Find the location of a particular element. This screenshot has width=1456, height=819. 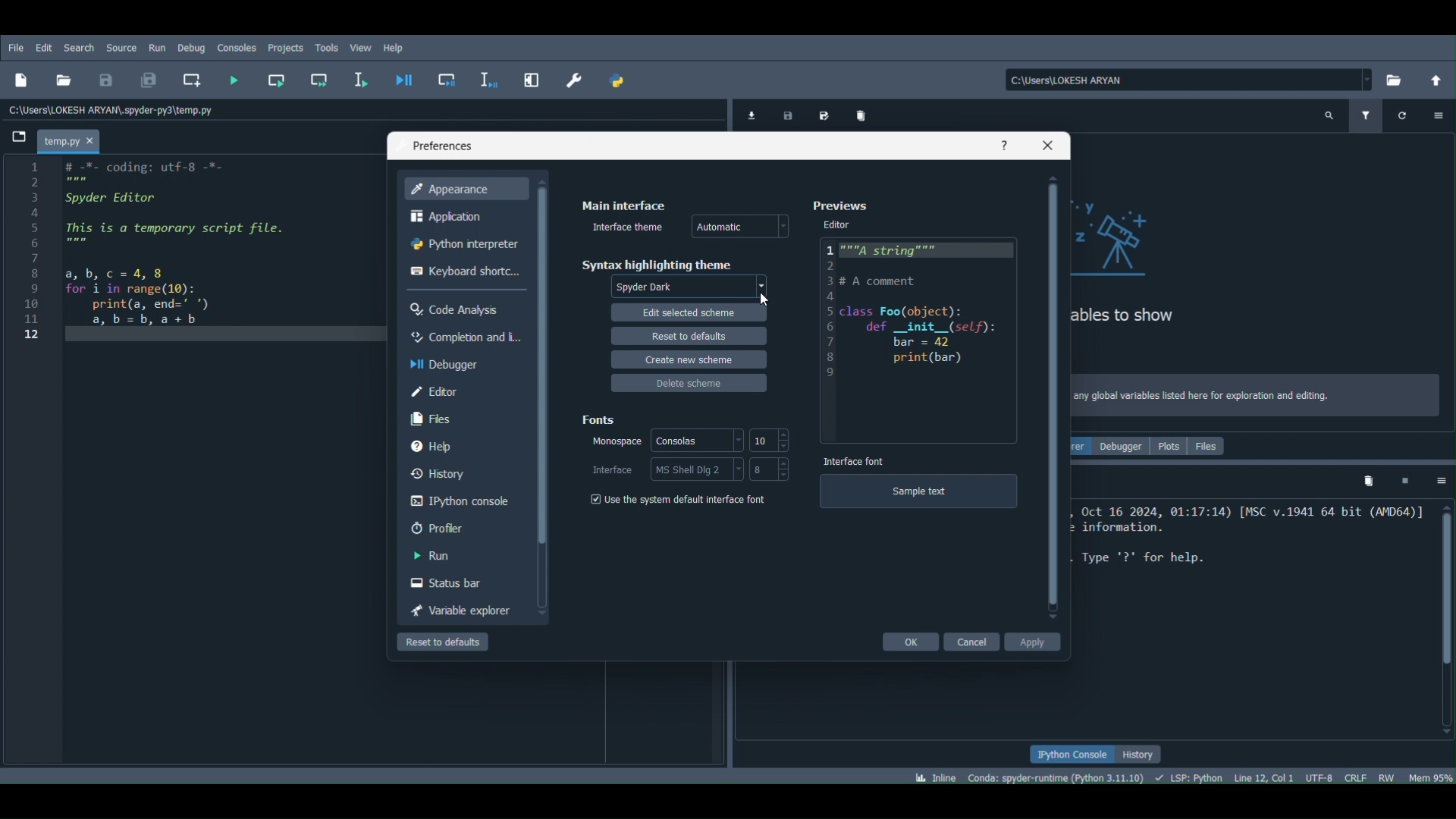

Save file (Ctrl + S) is located at coordinates (106, 79).